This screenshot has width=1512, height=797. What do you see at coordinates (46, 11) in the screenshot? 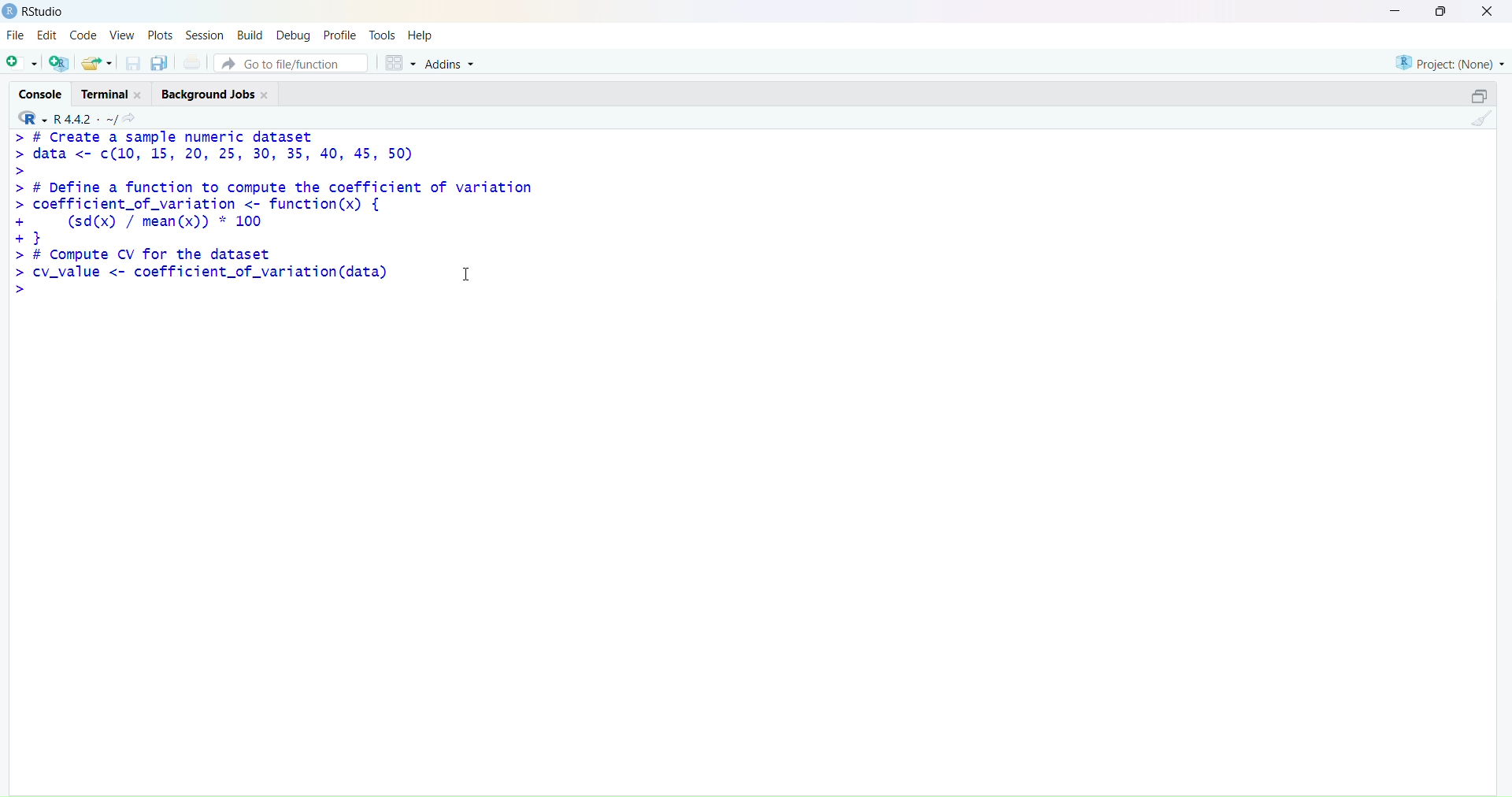
I see `RStudio` at bounding box center [46, 11].